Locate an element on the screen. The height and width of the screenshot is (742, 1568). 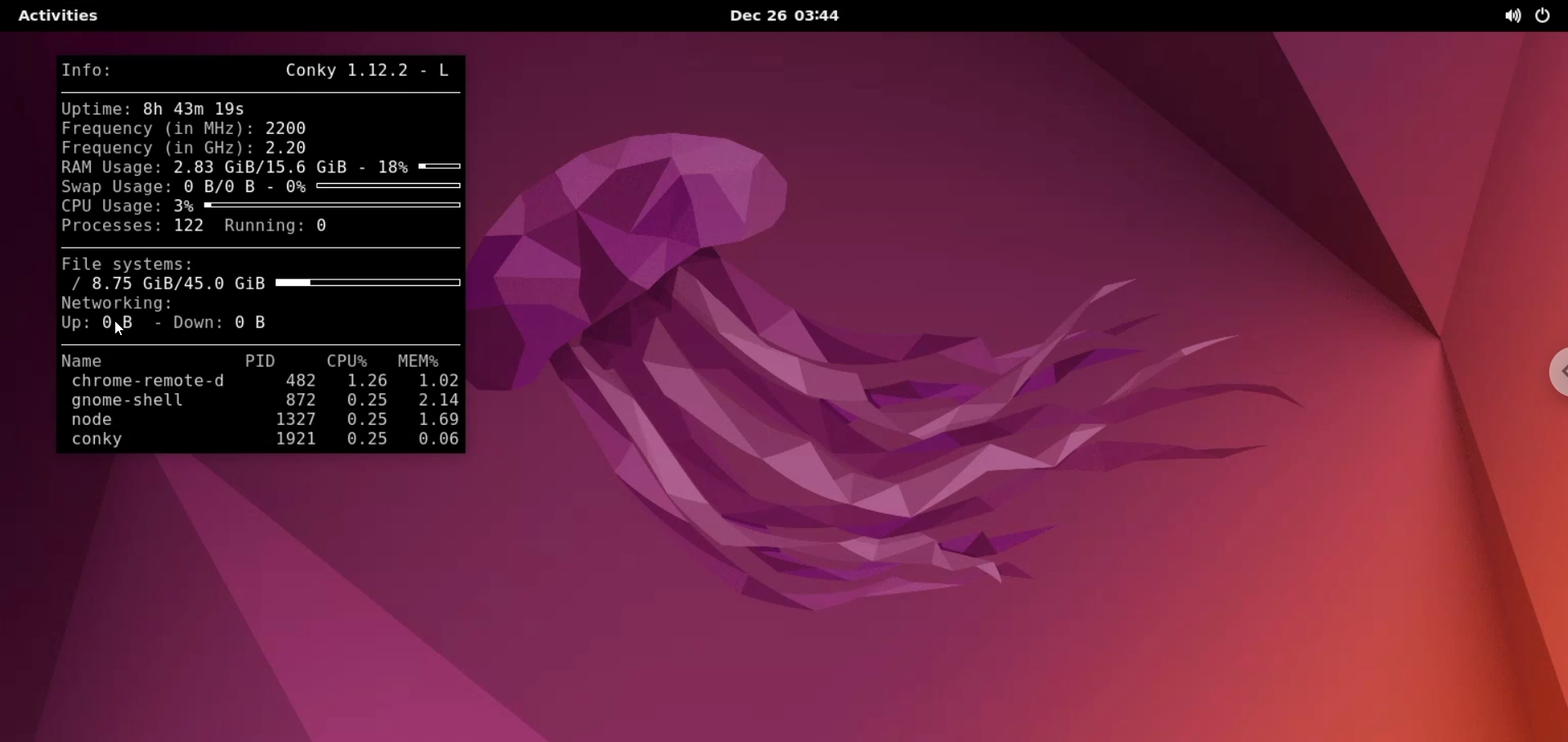
0.06 is located at coordinates (437, 442).